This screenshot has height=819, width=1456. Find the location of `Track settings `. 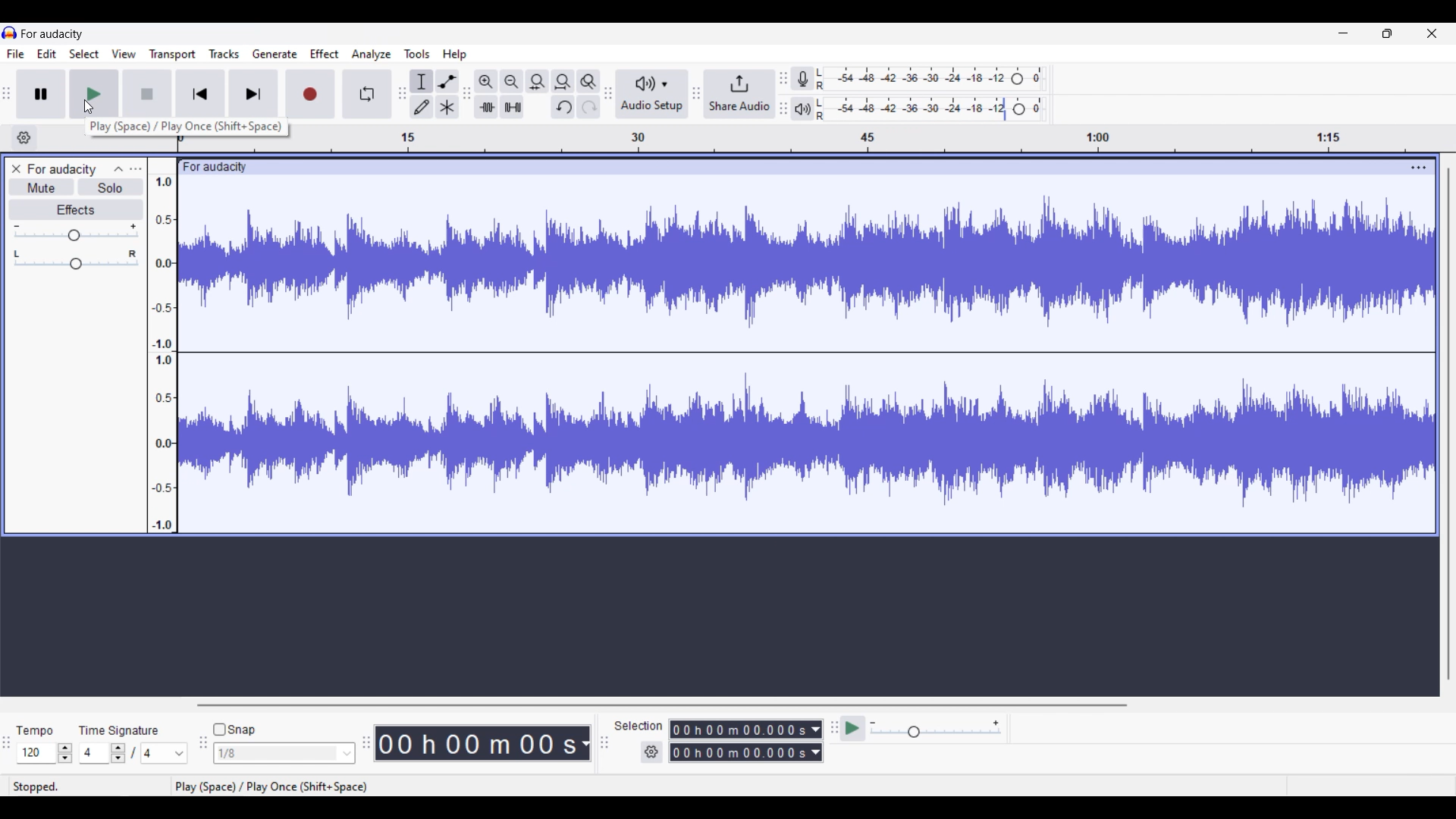

Track settings  is located at coordinates (1419, 168).